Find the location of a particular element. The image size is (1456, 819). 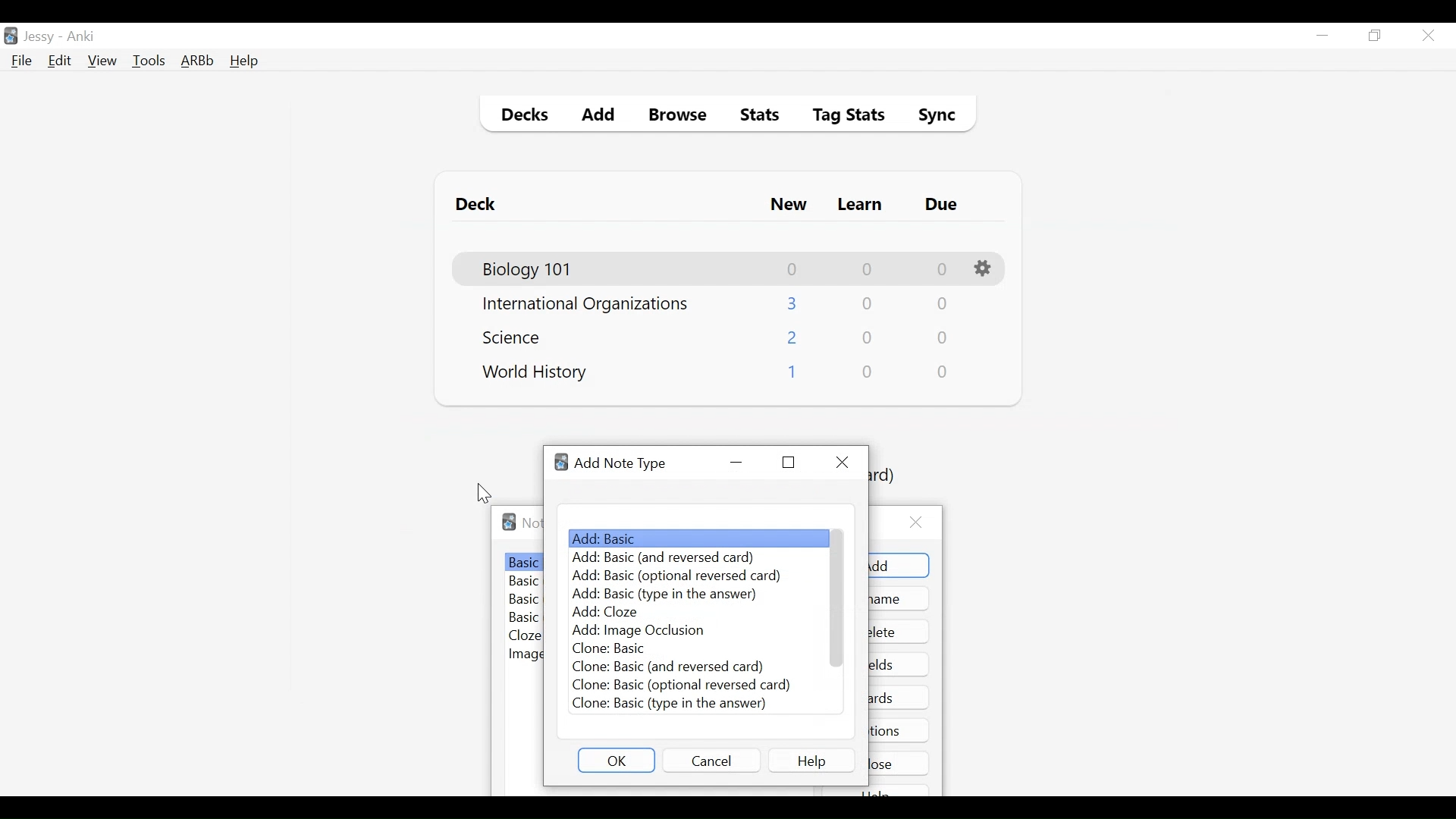

Vertical Scroll bar is located at coordinates (839, 598).